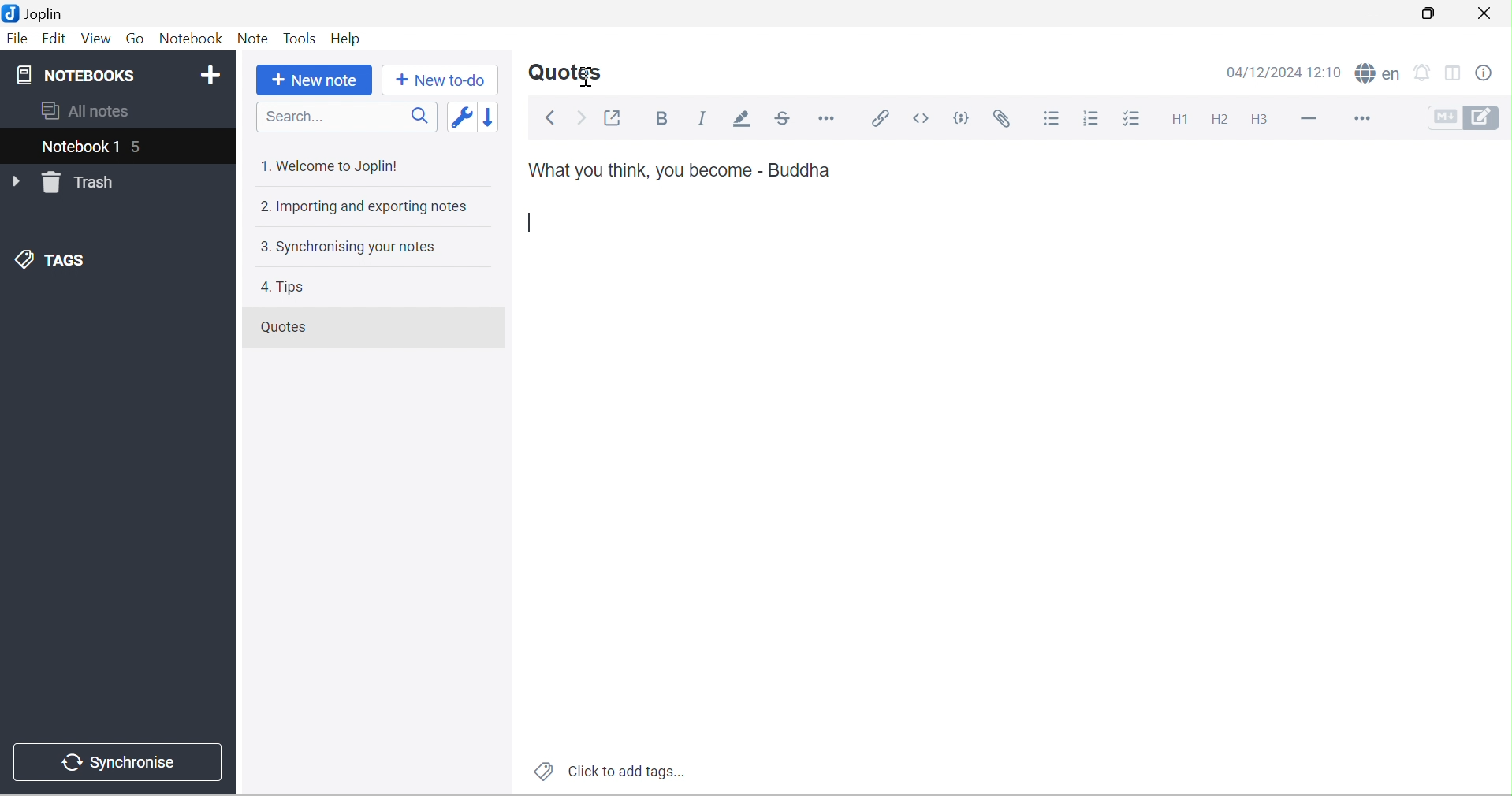 The width and height of the screenshot is (1512, 796). What do you see at coordinates (86, 111) in the screenshot?
I see `All notes` at bounding box center [86, 111].